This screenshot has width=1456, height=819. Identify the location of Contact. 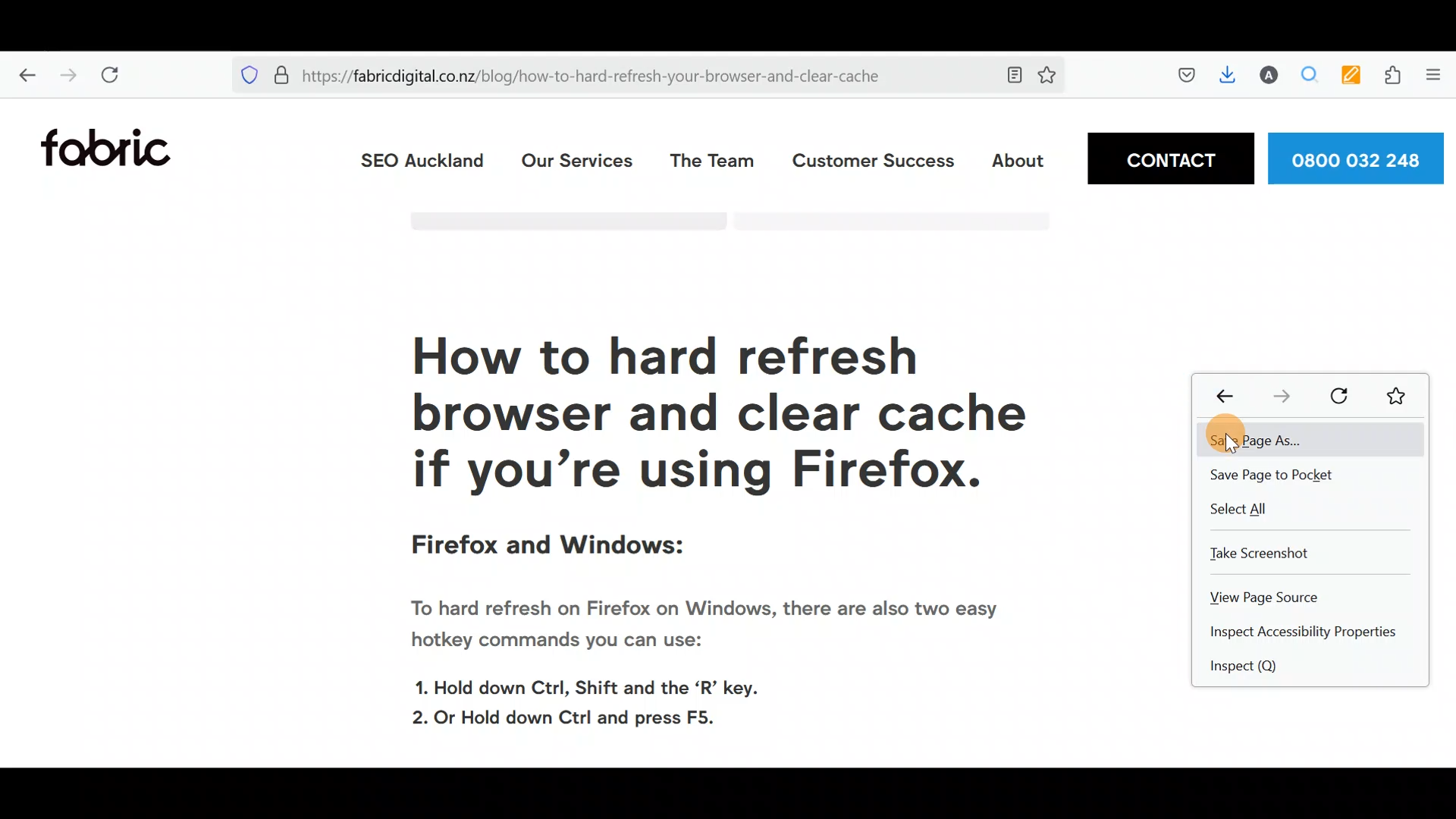
(1169, 158).